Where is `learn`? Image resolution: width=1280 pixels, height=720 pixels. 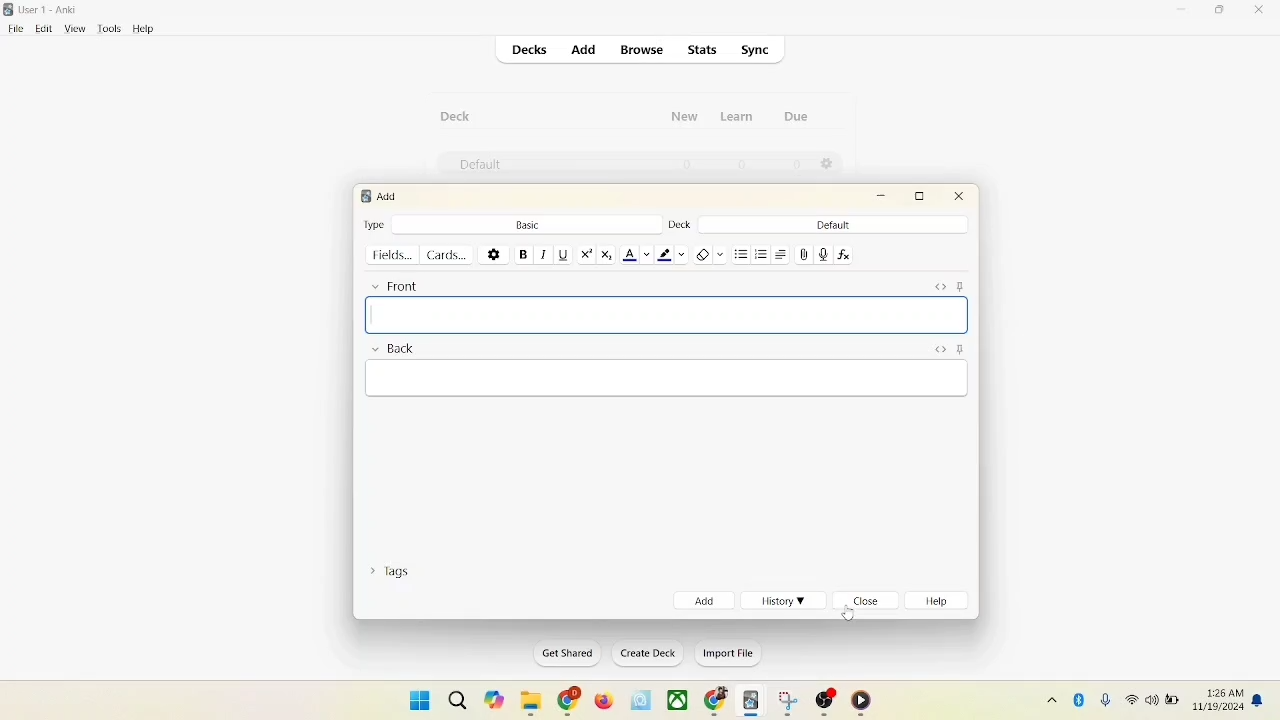
learn is located at coordinates (742, 117).